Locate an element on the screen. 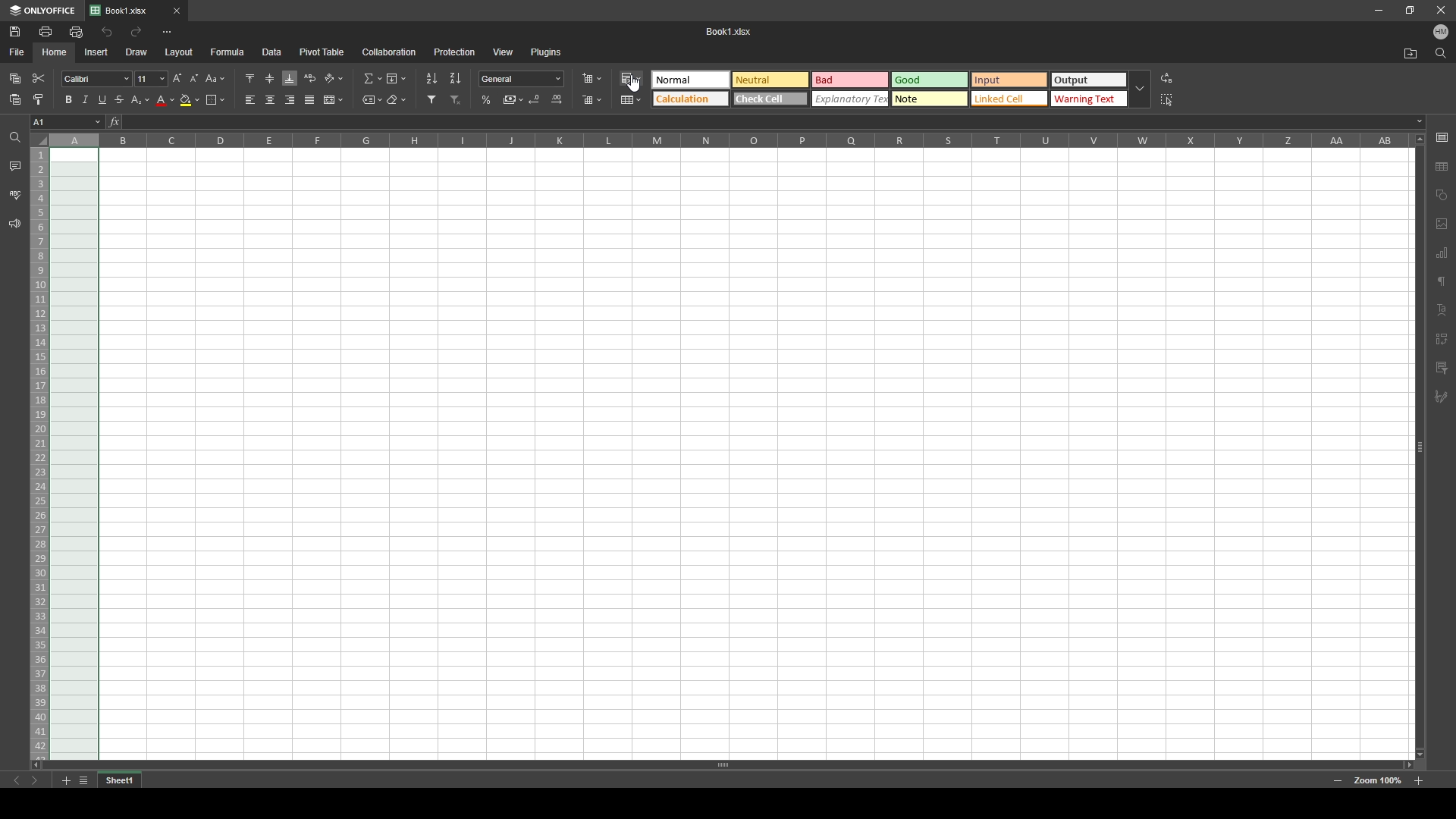 Image resolution: width=1456 pixels, height=819 pixels. undo is located at coordinates (107, 33).